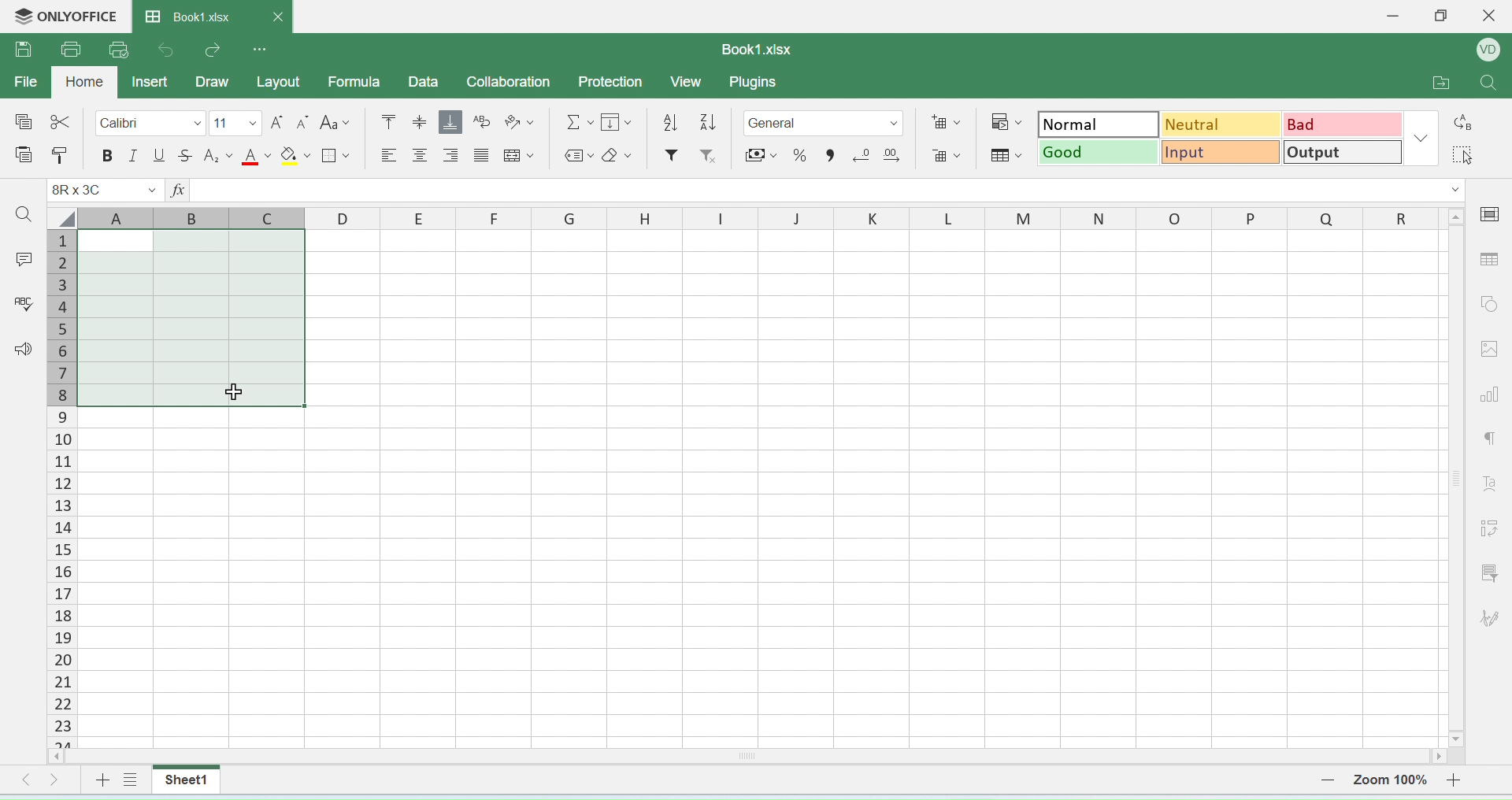 The width and height of the screenshot is (1512, 800). Describe the element at coordinates (24, 302) in the screenshot. I see `spell check` at that location.